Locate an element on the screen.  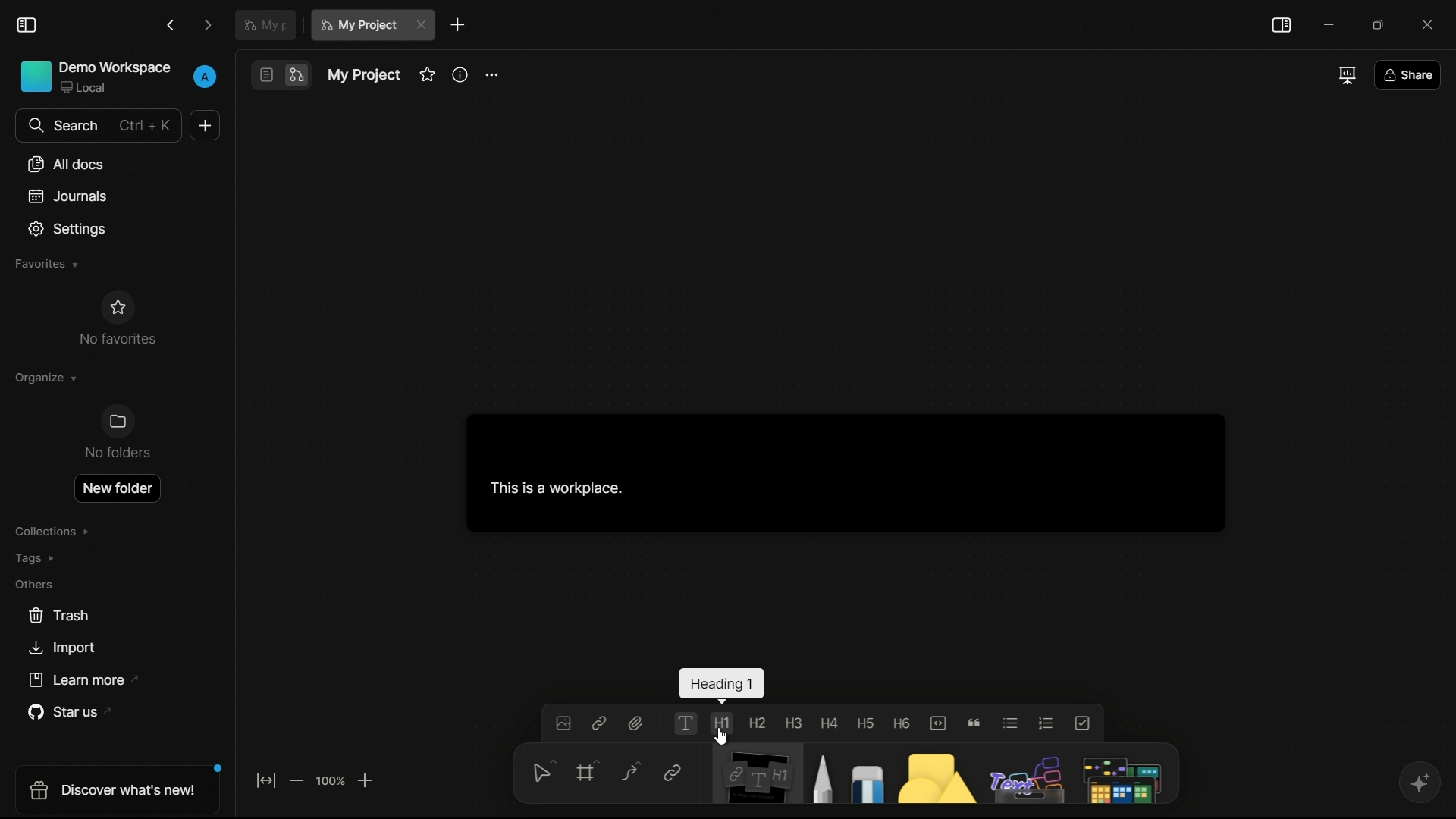
note is located at coordinates (752, 775).